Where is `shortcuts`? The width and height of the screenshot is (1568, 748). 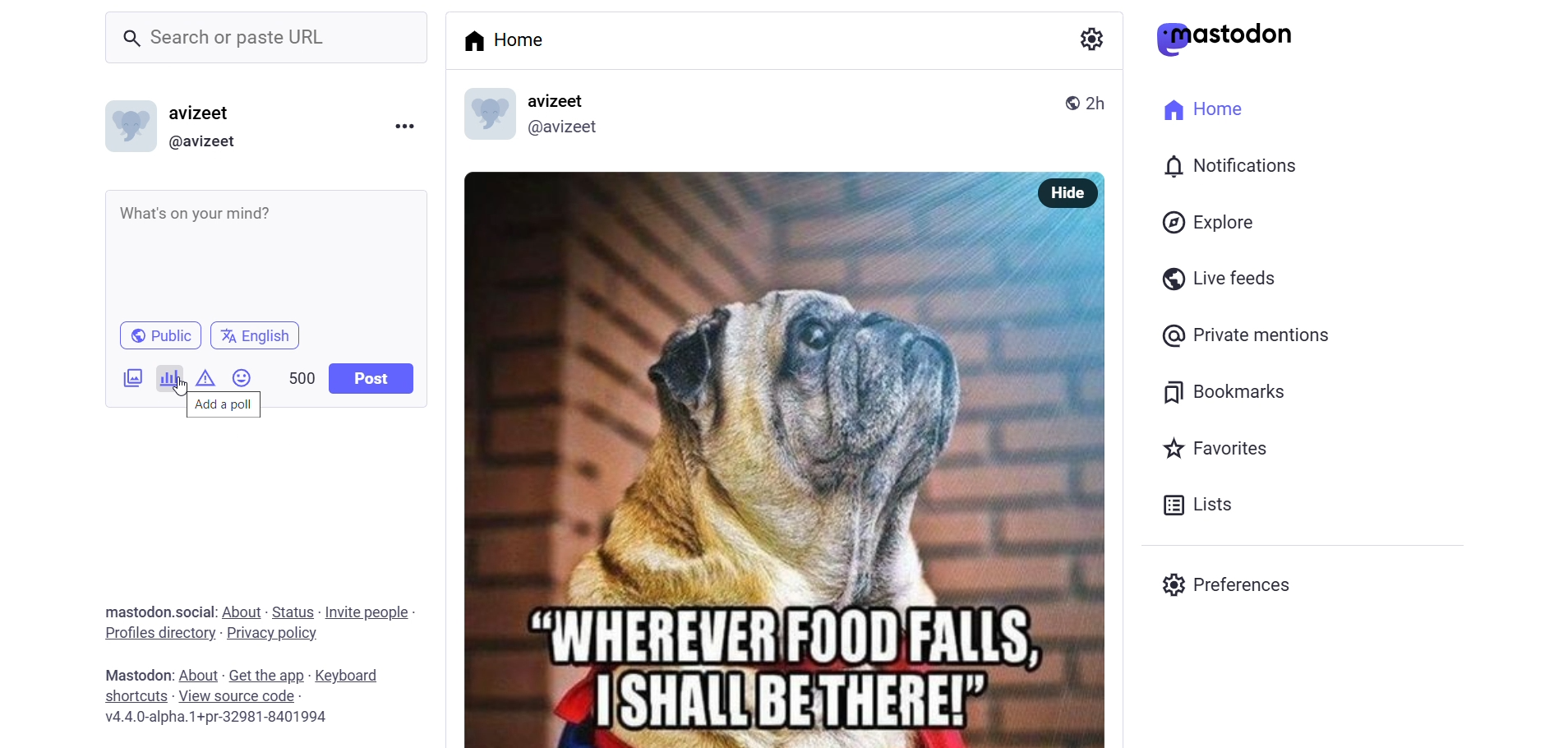 shortcuts is located at coordinates (135, 696).